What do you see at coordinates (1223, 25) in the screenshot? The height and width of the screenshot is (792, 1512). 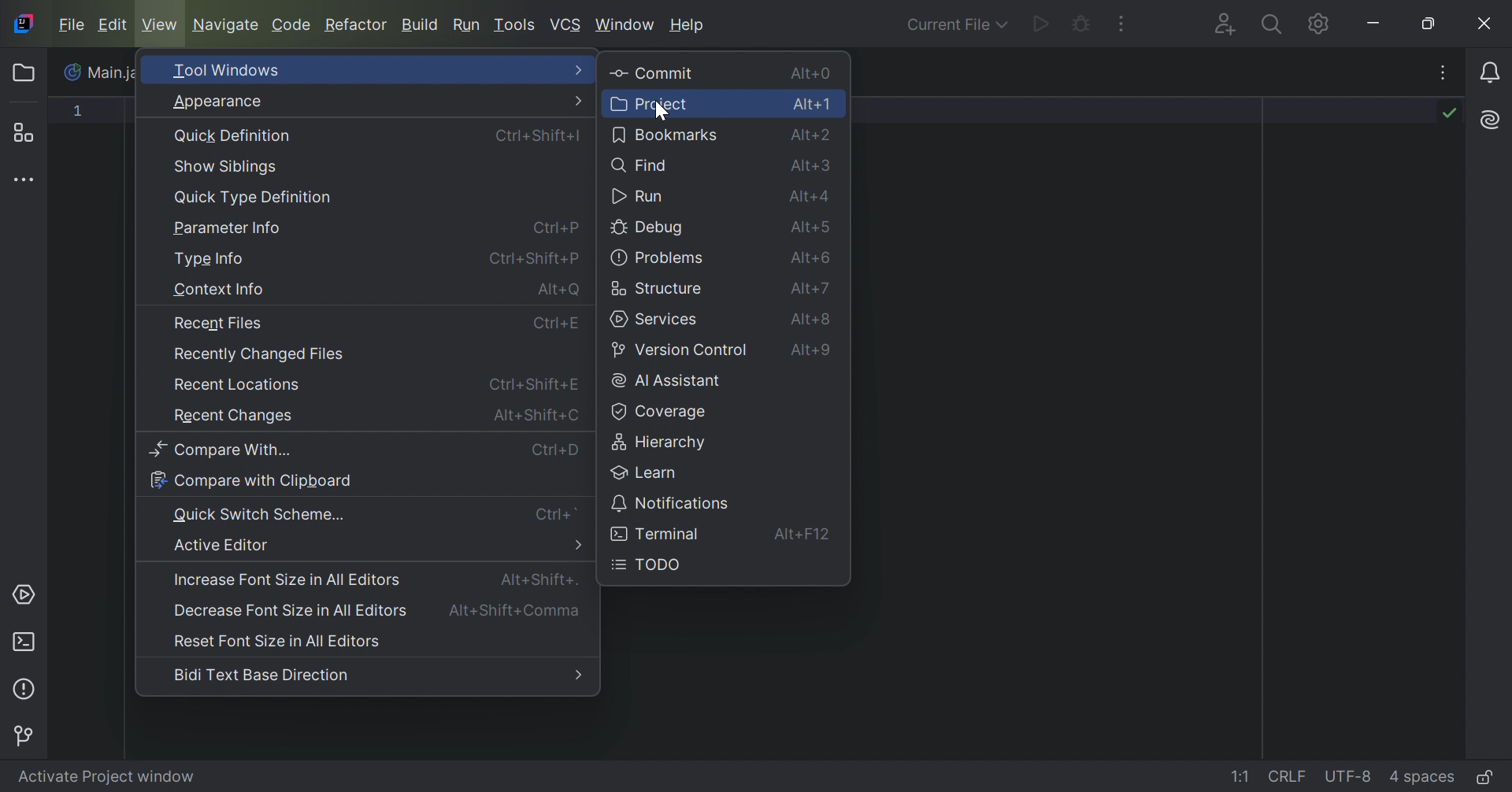 I see `Code with me` at bounding box center [1223, 25].